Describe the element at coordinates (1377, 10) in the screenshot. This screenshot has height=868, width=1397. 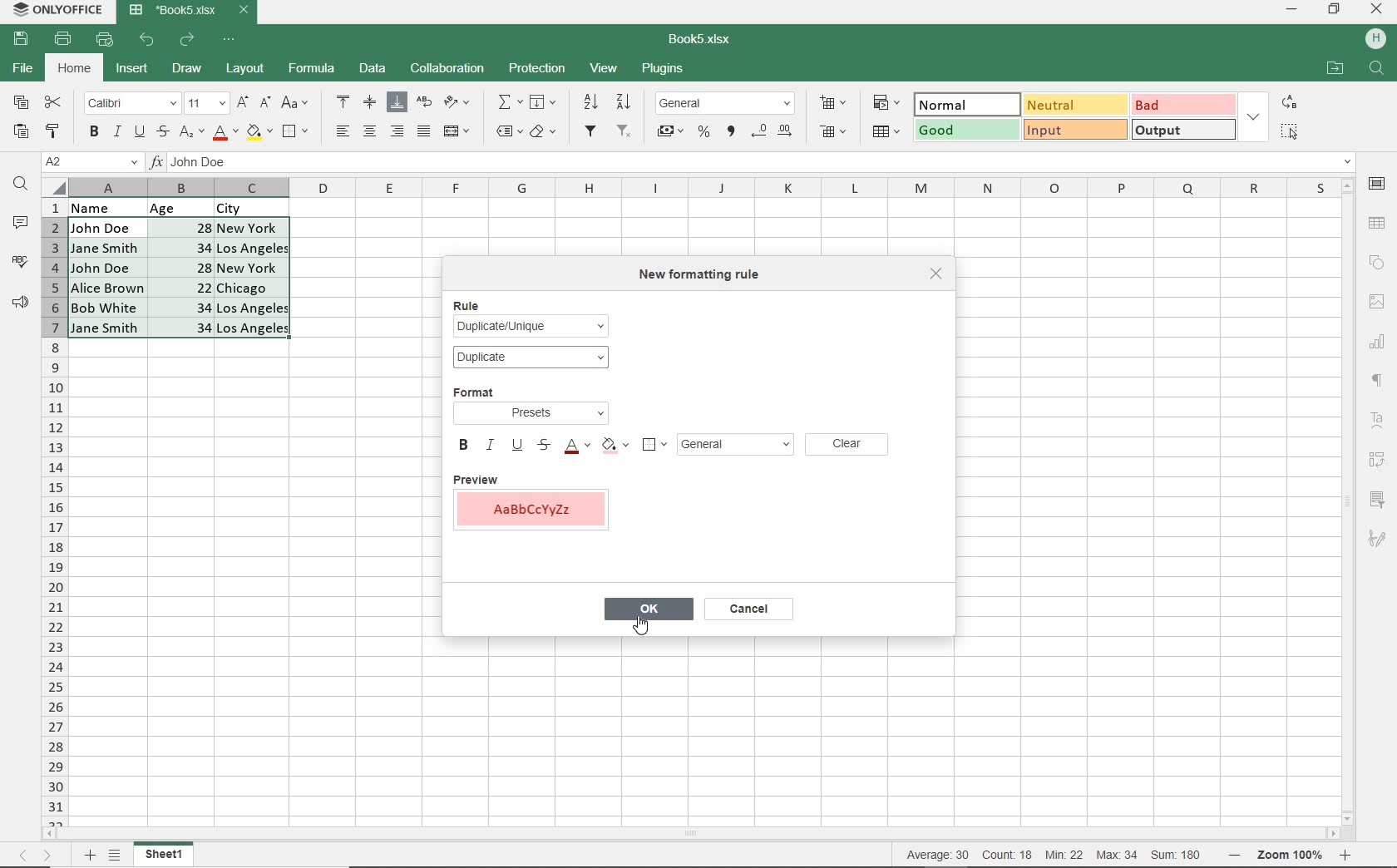
I see `CLOSE` at that location.